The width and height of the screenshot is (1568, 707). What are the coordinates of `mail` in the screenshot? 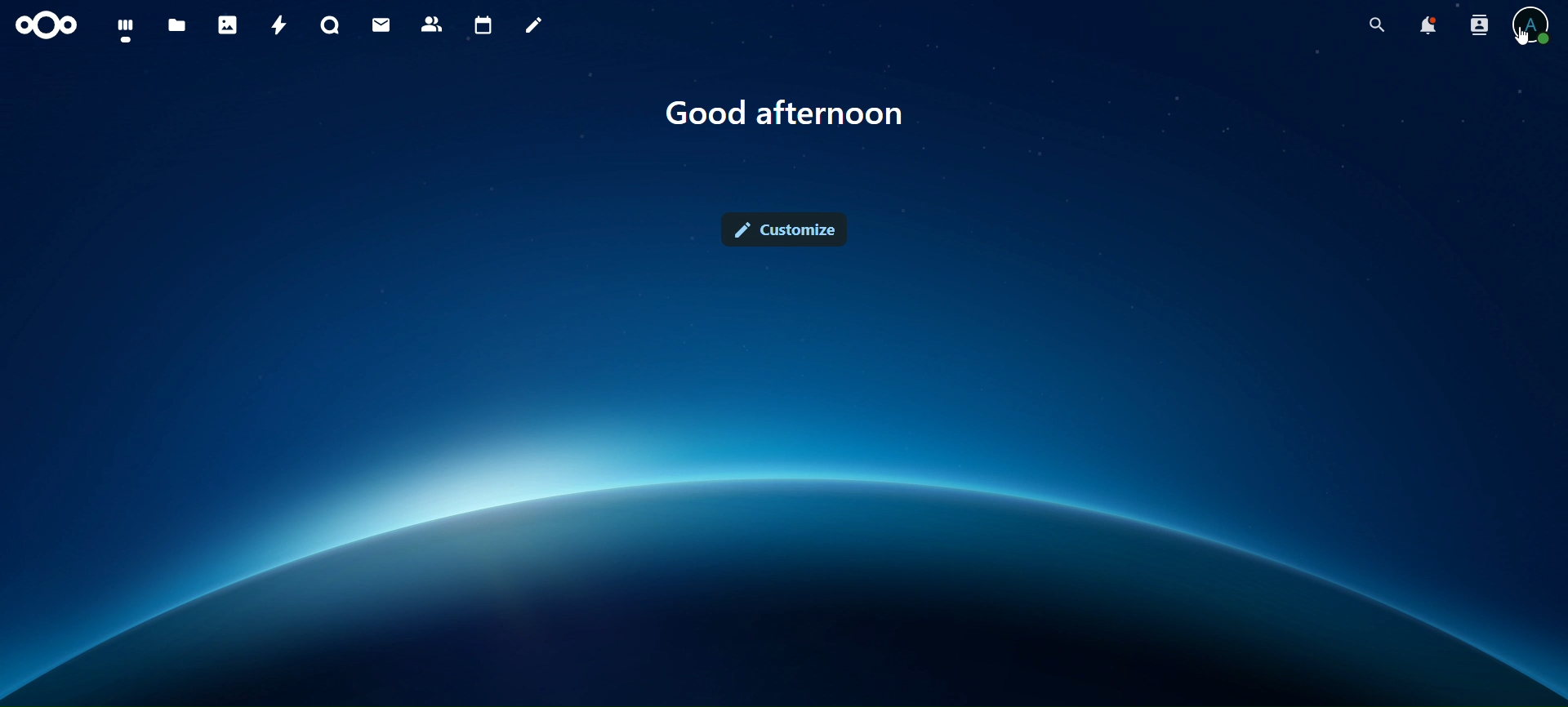 It's located at (381, 23).